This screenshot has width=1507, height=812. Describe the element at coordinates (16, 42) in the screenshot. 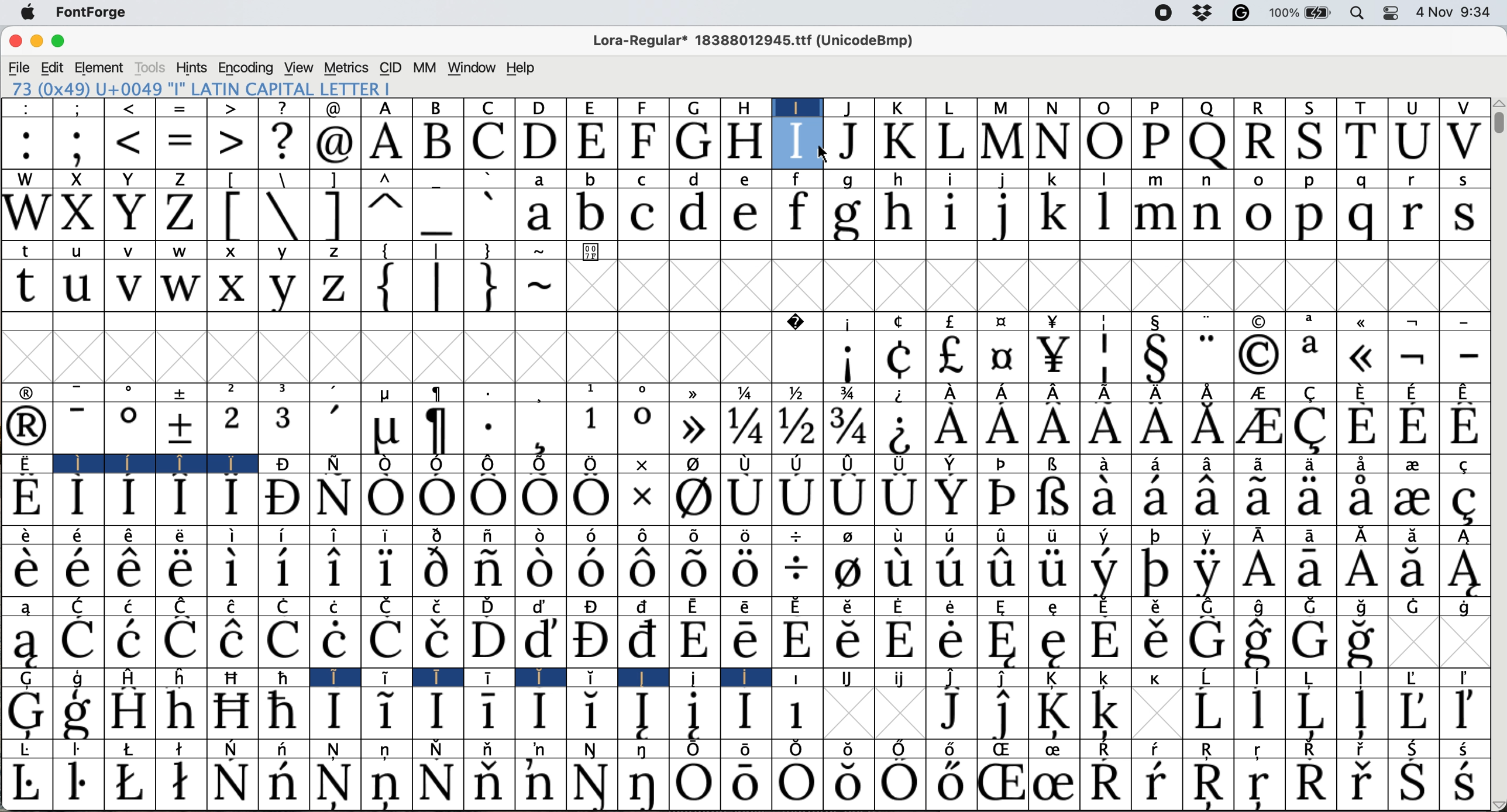

I see `close` at that location.